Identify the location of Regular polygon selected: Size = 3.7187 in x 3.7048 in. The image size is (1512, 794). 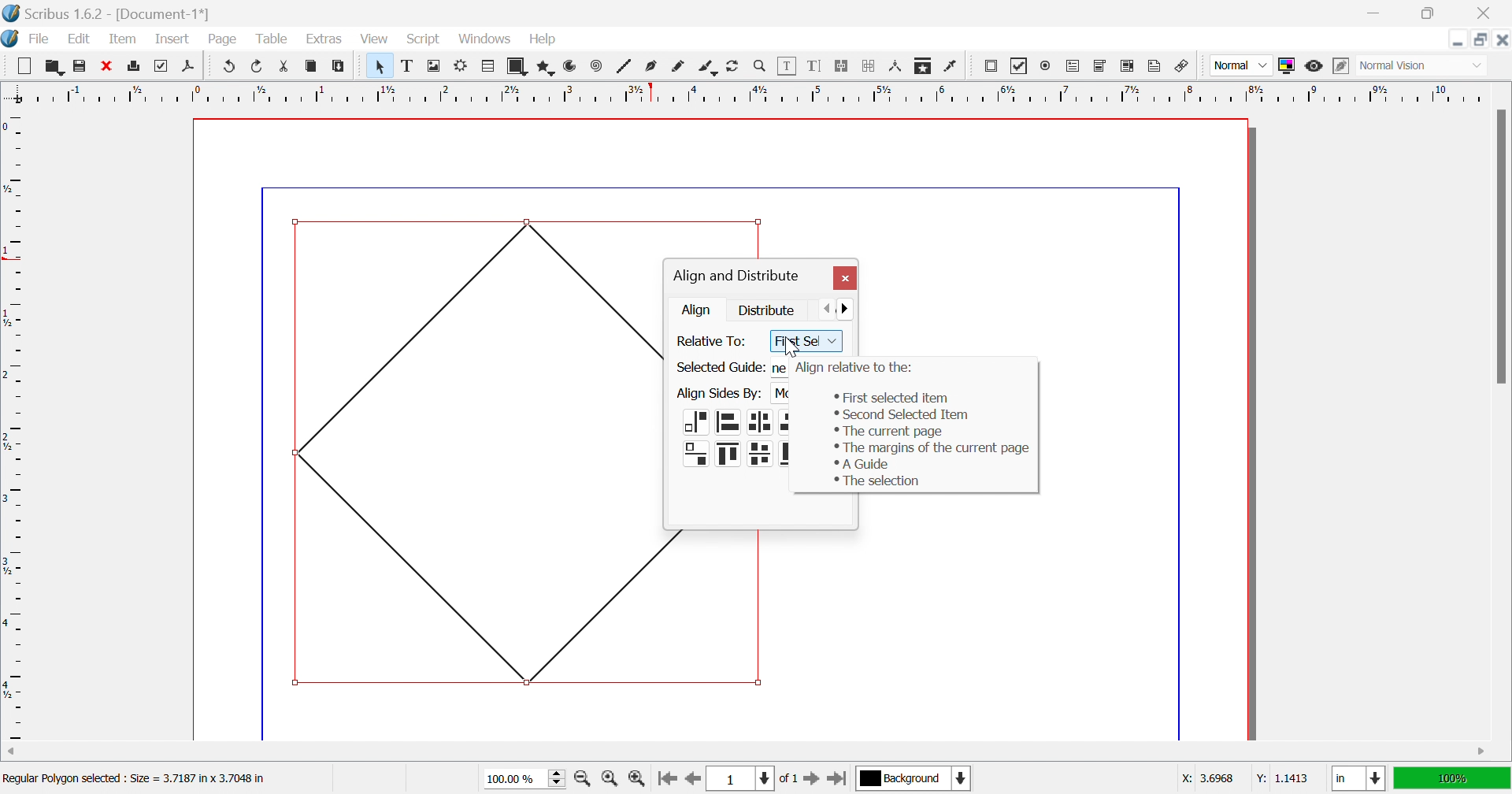
(134, 781).